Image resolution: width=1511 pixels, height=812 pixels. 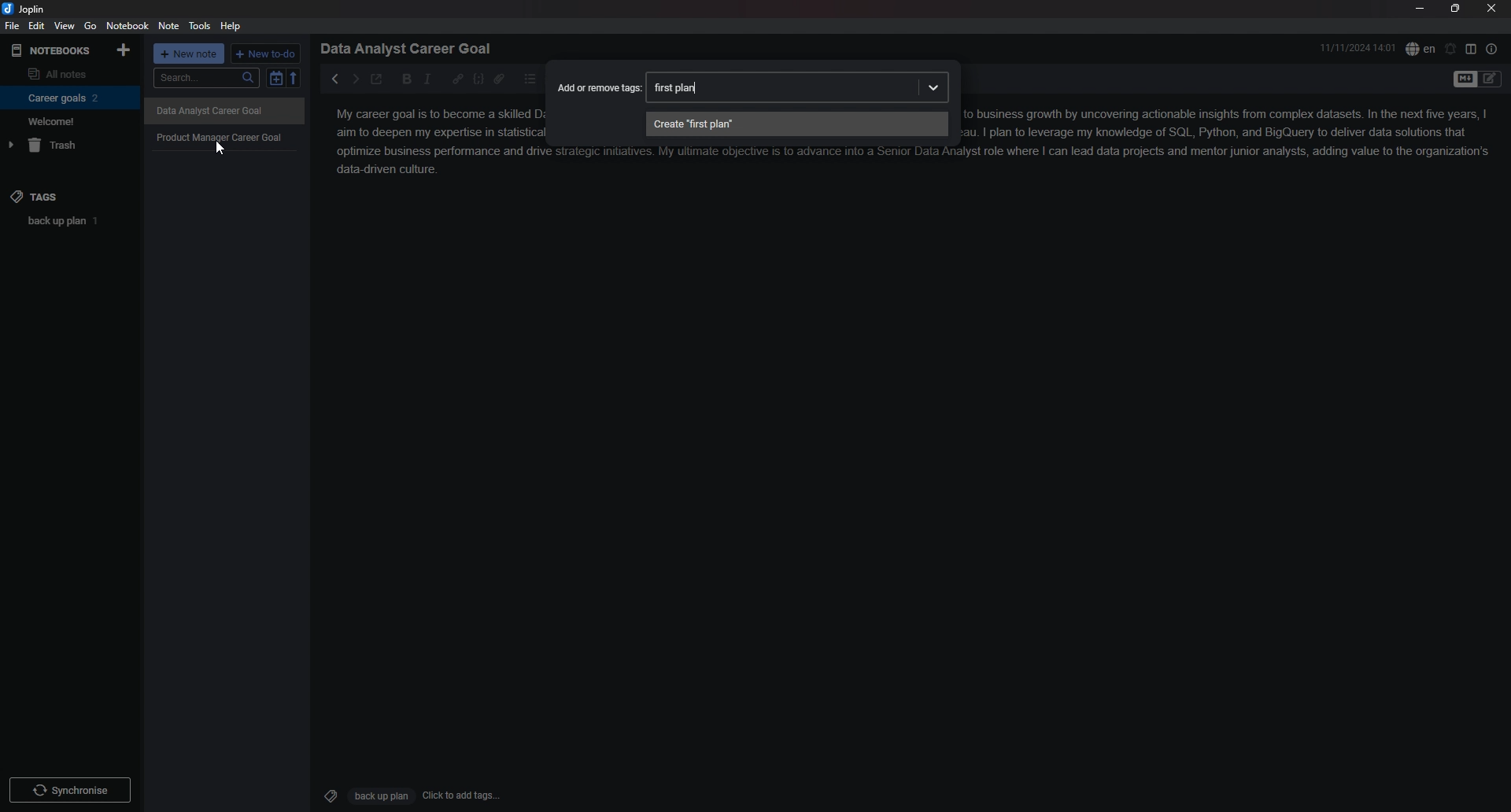 I want to click on reverse sort order, so click(x=294, y=77).